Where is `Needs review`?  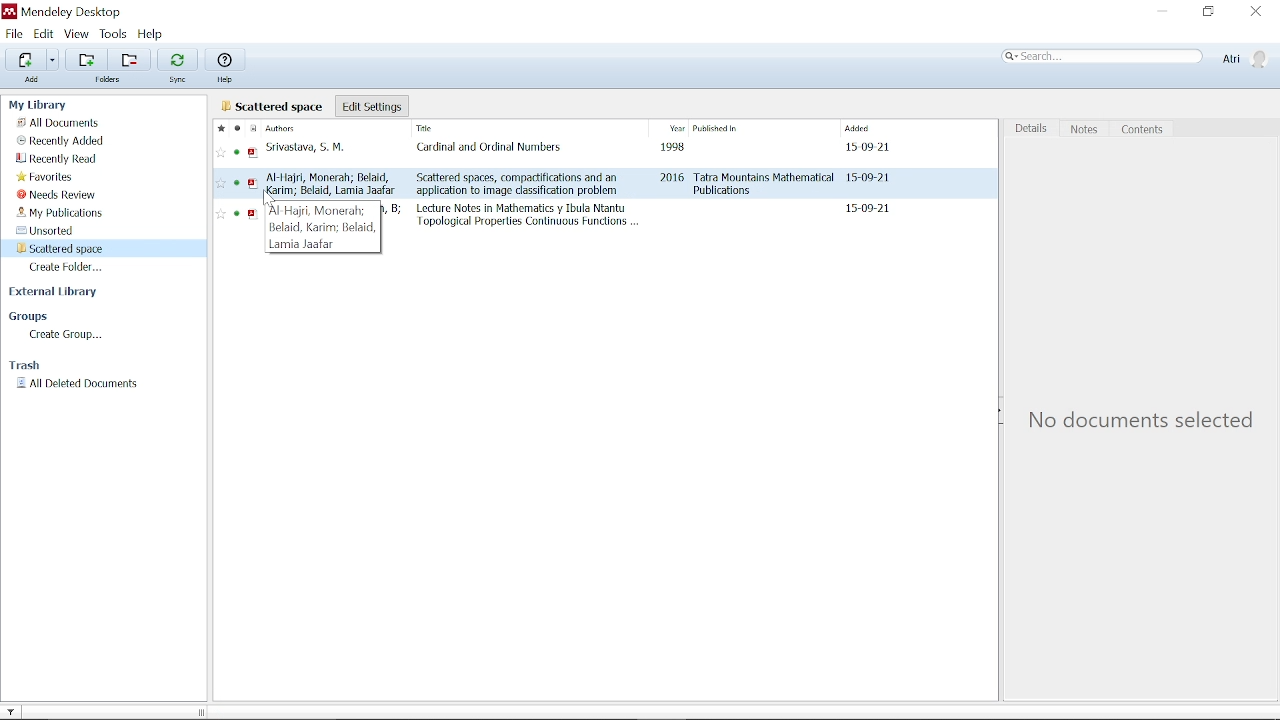
Needs review is located at coordinates (57, 195).